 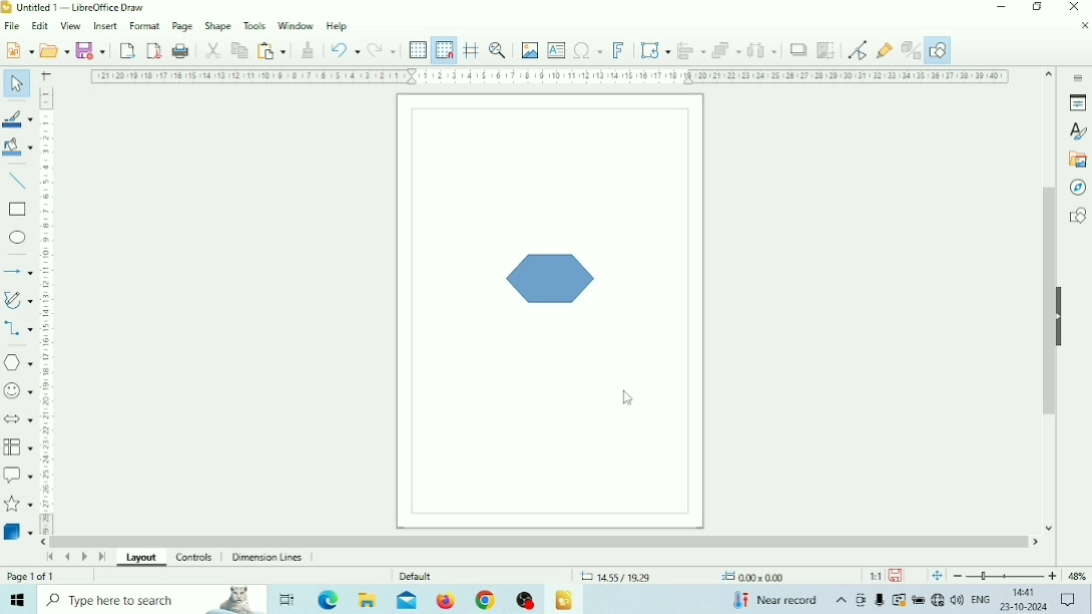 What do you see at coordinates (17, 271) in the screenshot?
I see `Lines and Arrows` at bounding box center [17, 271].